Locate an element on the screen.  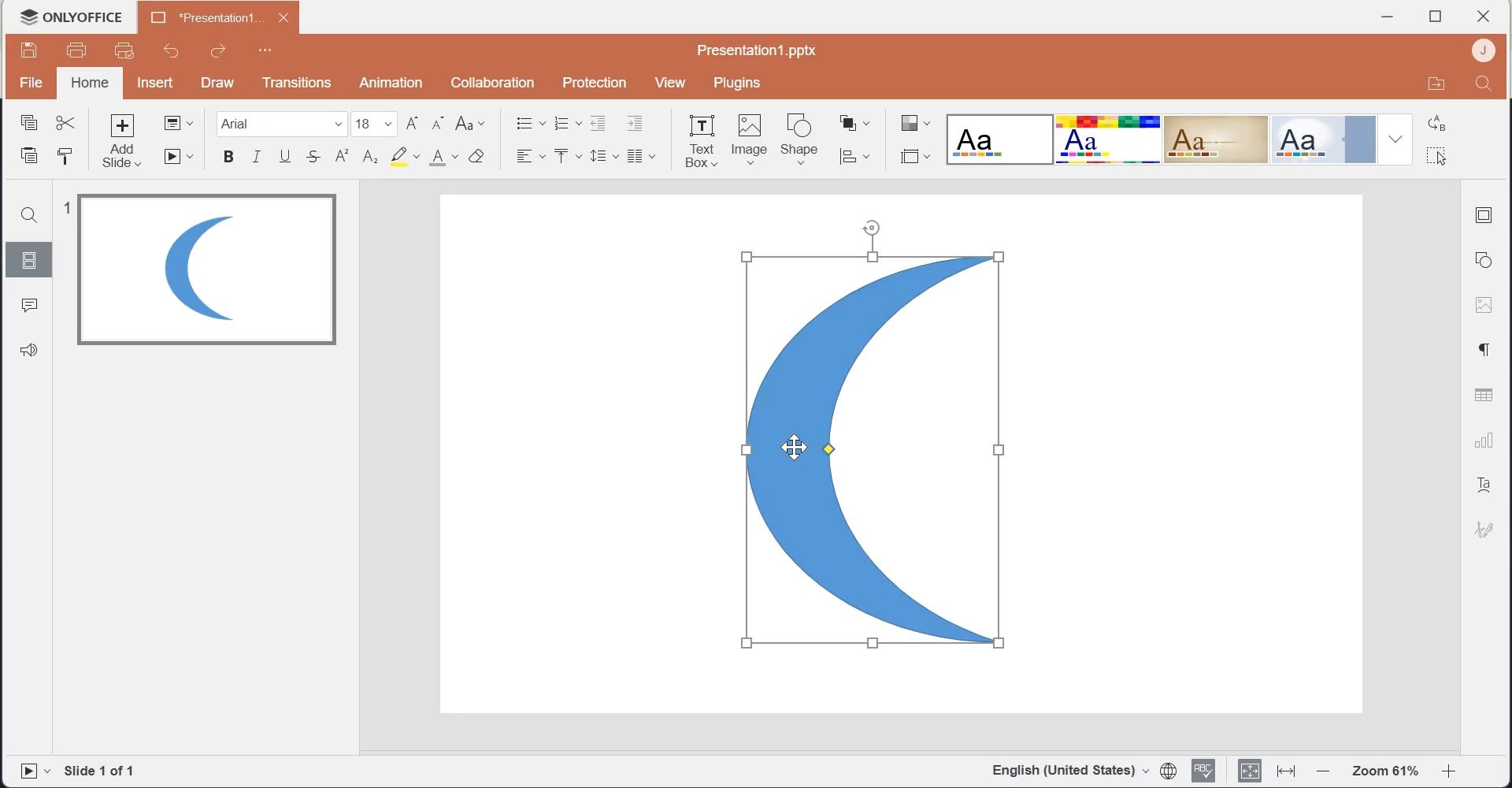
Change slide layout is located at coordinates (180, 123).